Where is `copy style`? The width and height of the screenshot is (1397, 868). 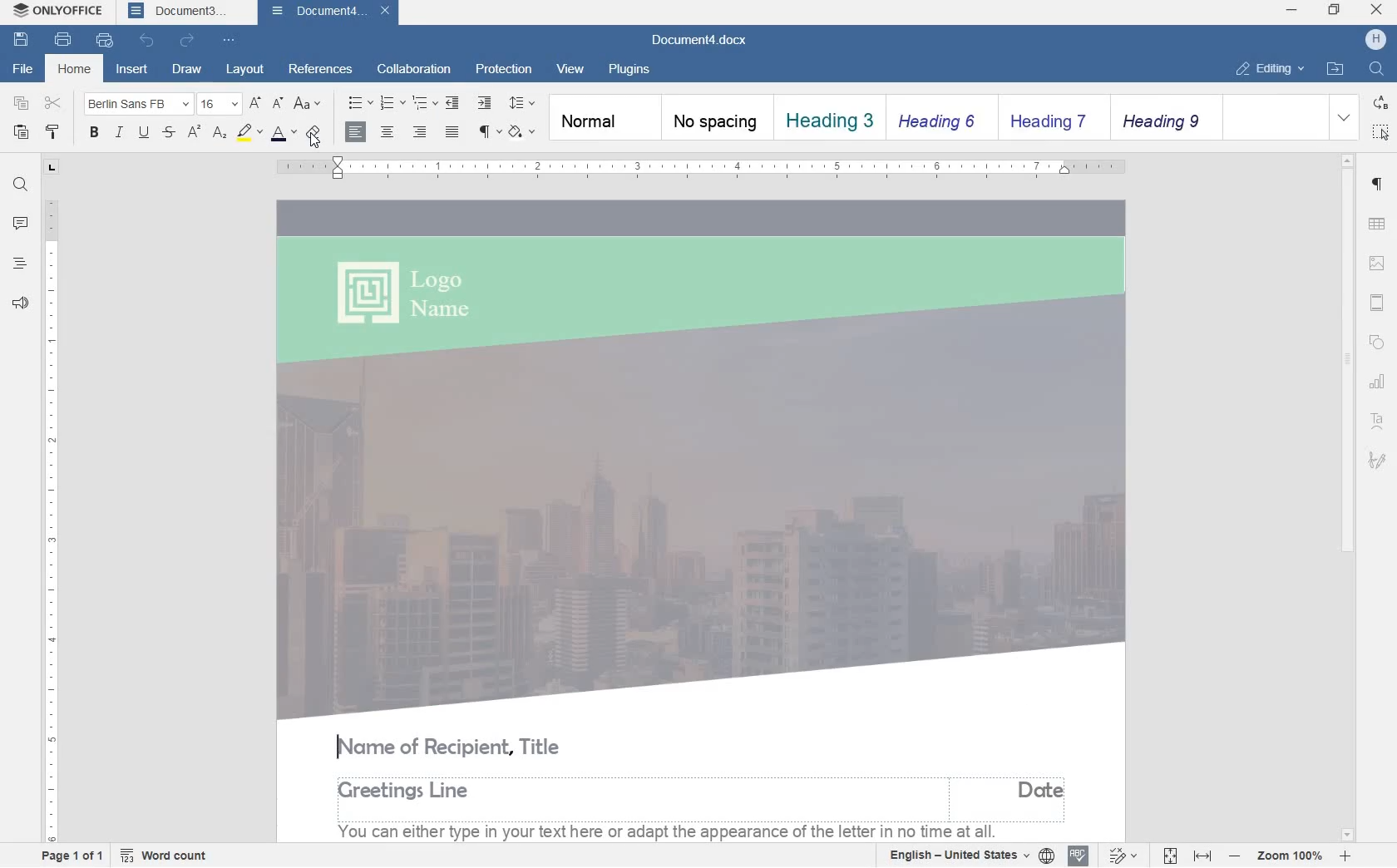
copy style is located at coordinates (53, 132).